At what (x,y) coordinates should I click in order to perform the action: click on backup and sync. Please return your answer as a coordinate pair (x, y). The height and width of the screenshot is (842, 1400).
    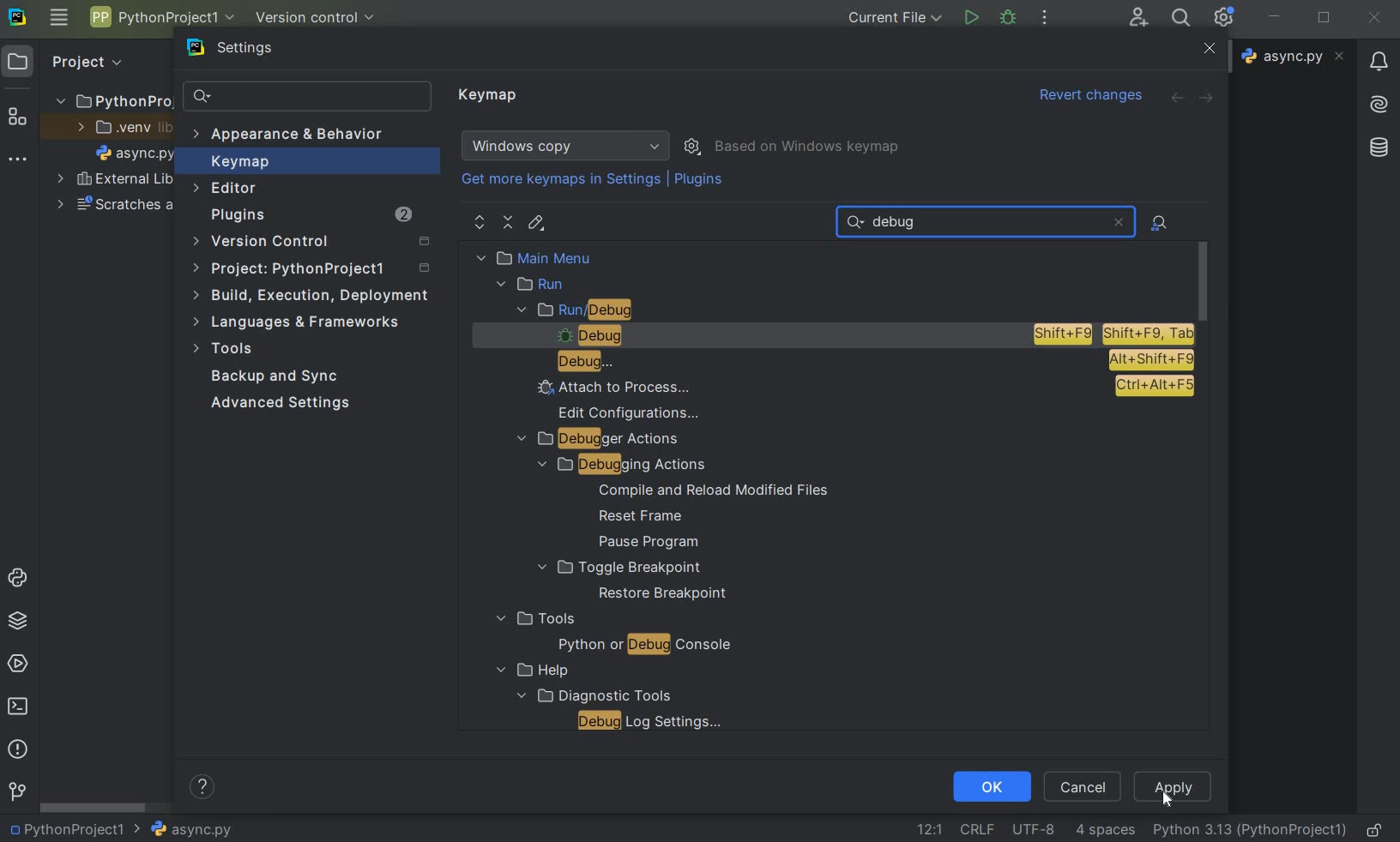
    Looking at the image, I should click on (275, 378).